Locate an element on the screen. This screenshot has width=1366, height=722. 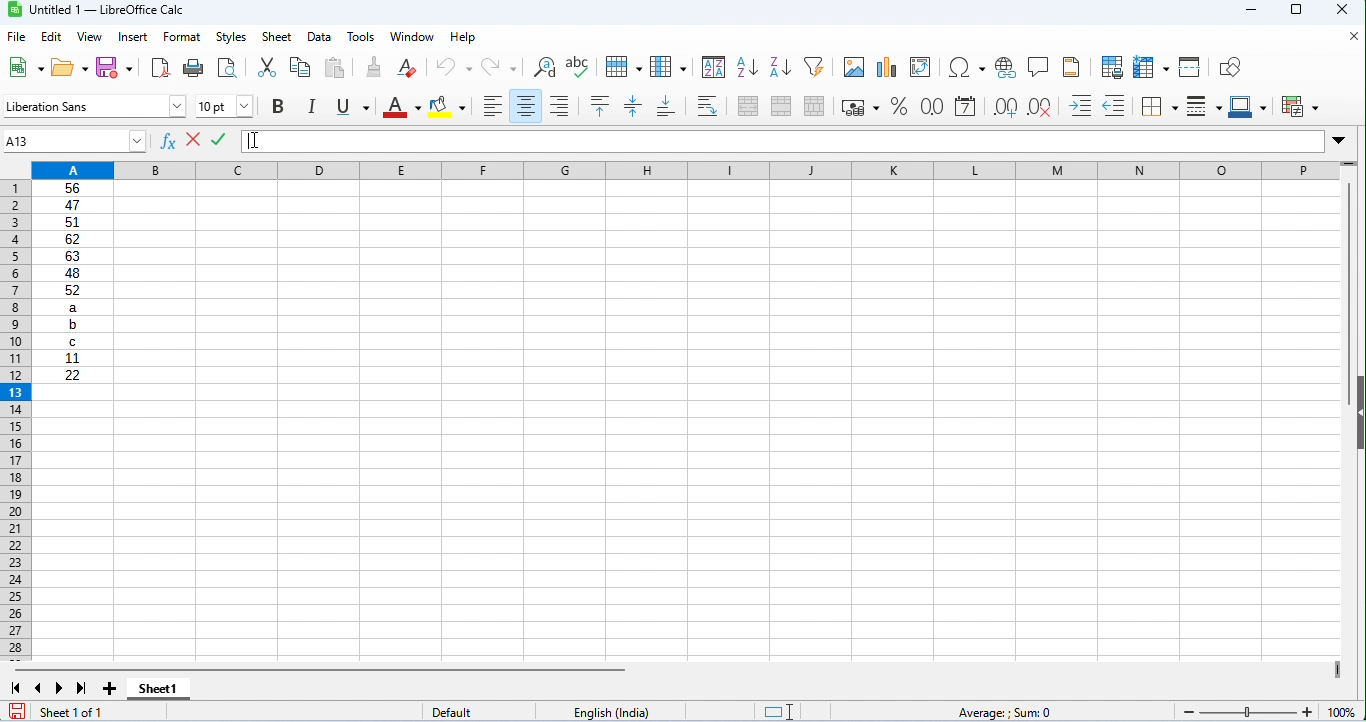
add decimal place is located at coordinates (1005, 107).